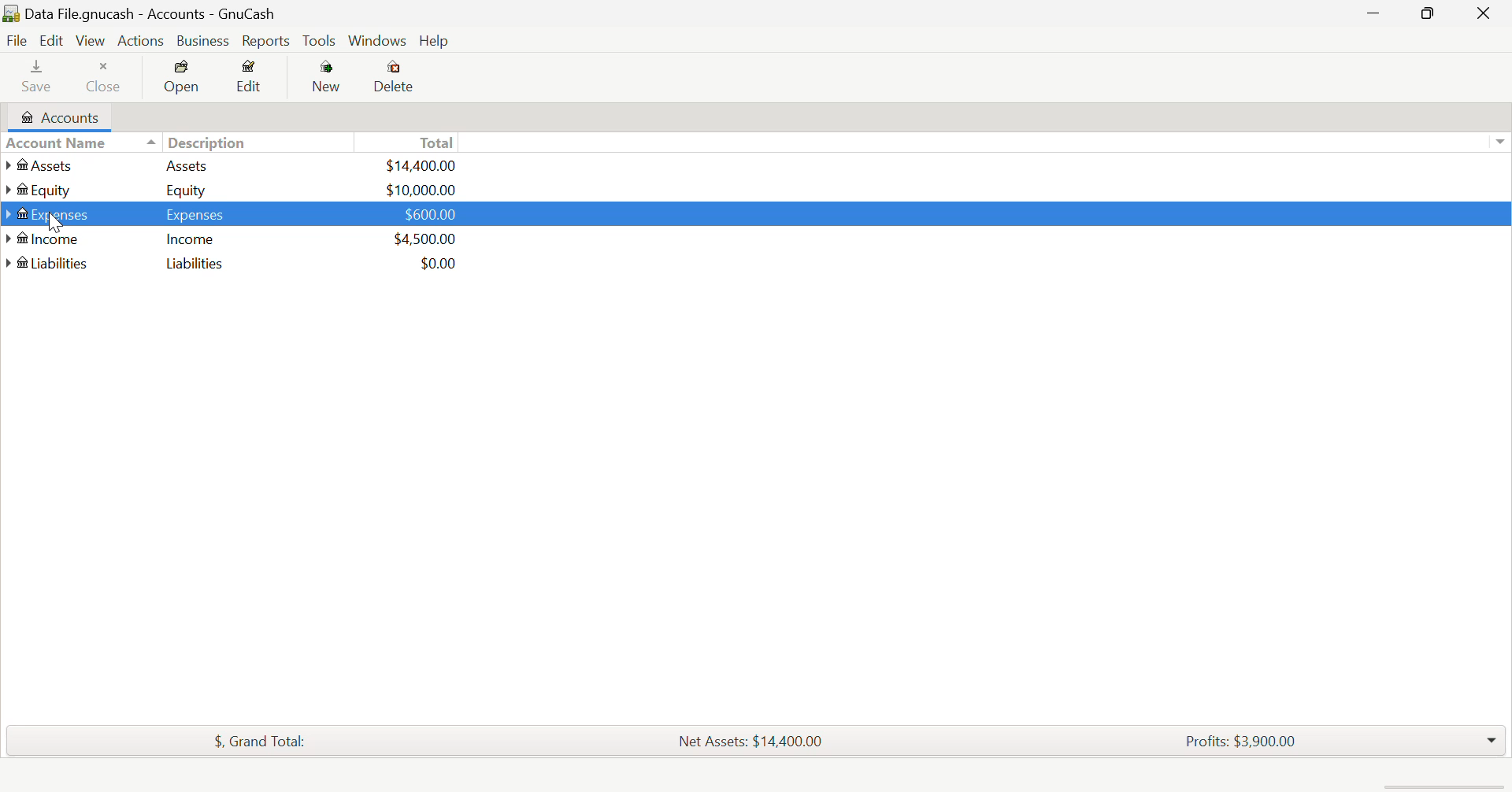 The height and width of the screenshot is (792, 1512). I want to click on Reports, so click(267, 43).